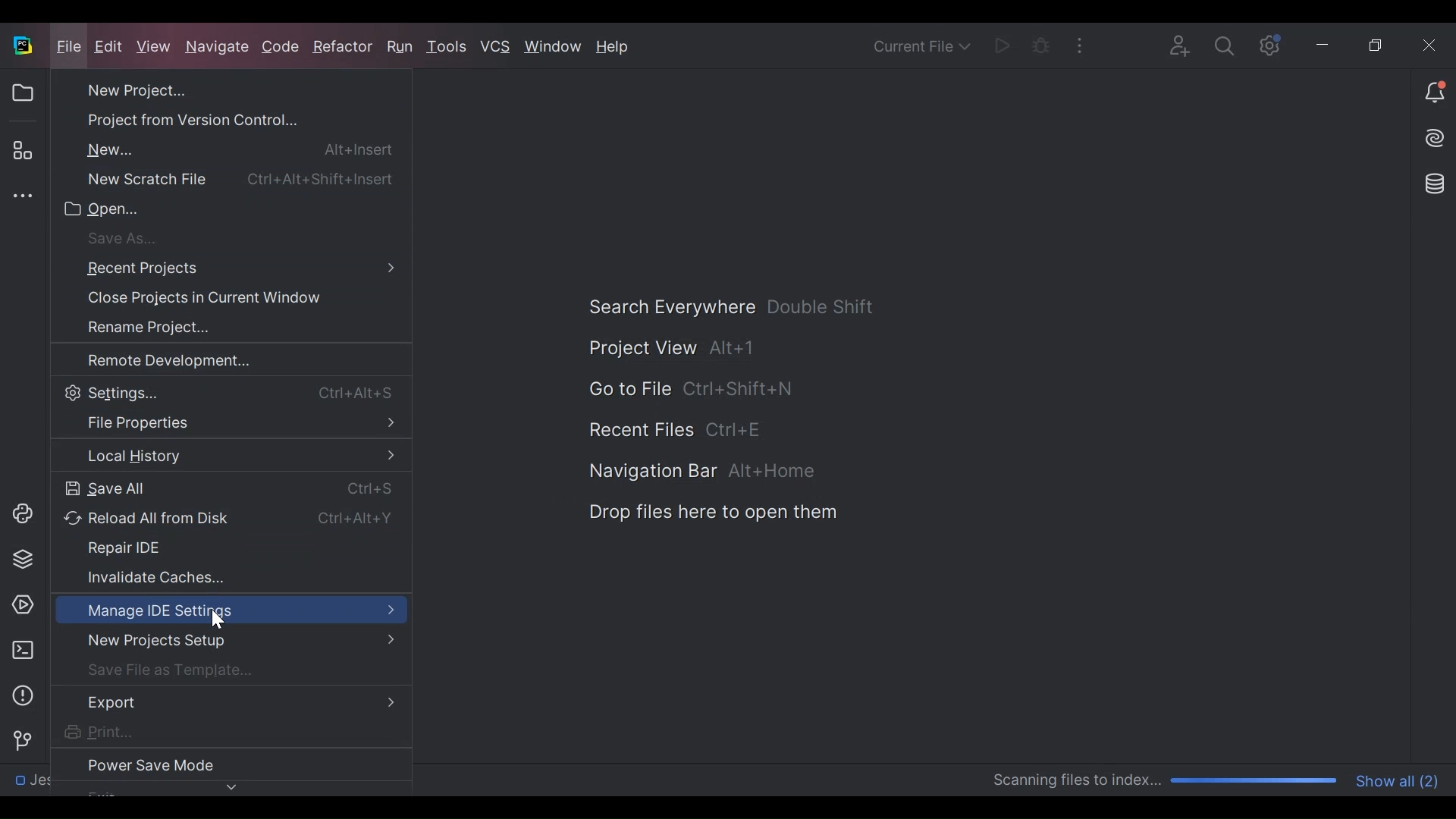  I want to click on Manage IDE Settings, so click(231, 610).